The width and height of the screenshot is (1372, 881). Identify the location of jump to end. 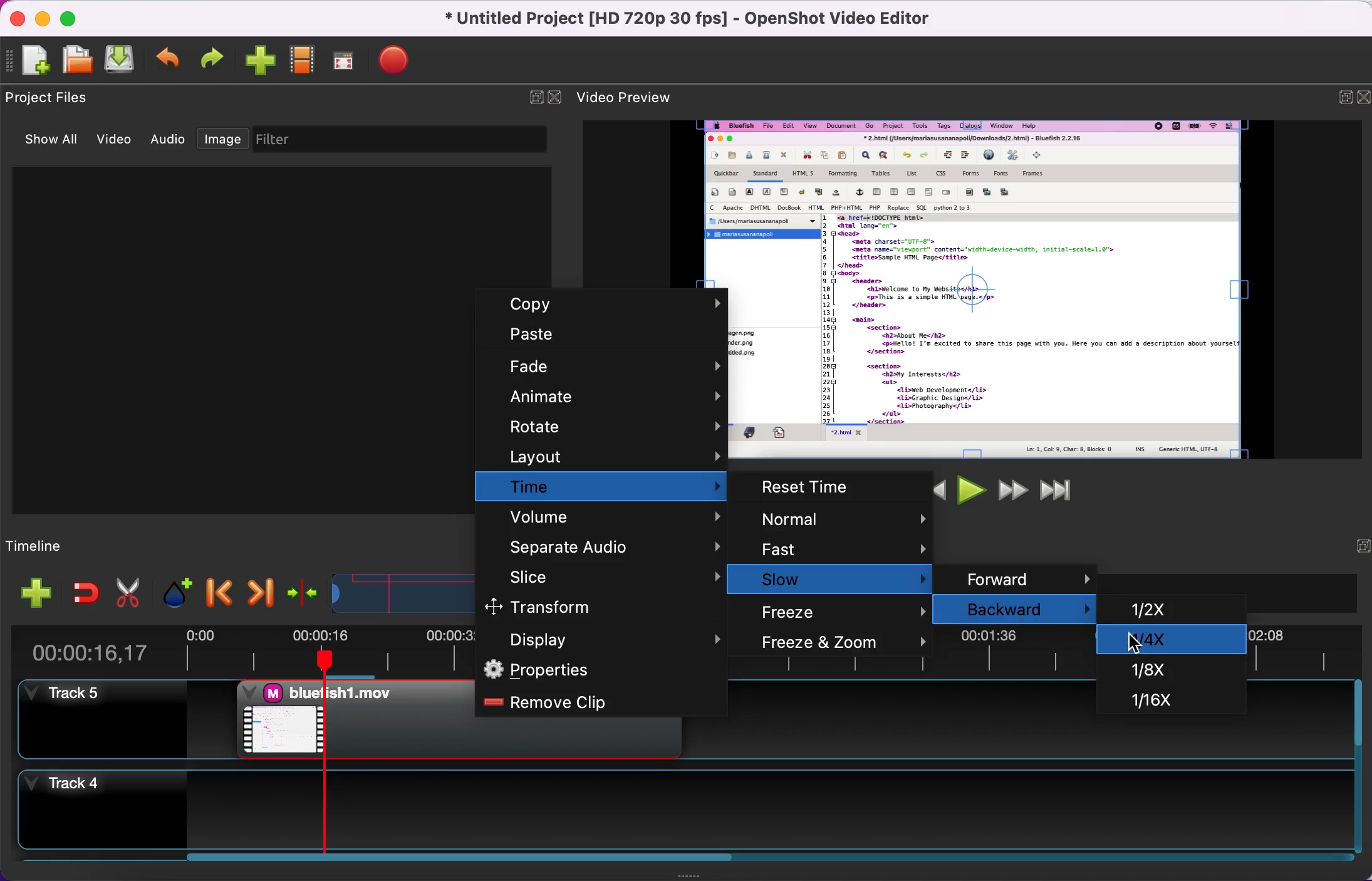
(1056, 489).